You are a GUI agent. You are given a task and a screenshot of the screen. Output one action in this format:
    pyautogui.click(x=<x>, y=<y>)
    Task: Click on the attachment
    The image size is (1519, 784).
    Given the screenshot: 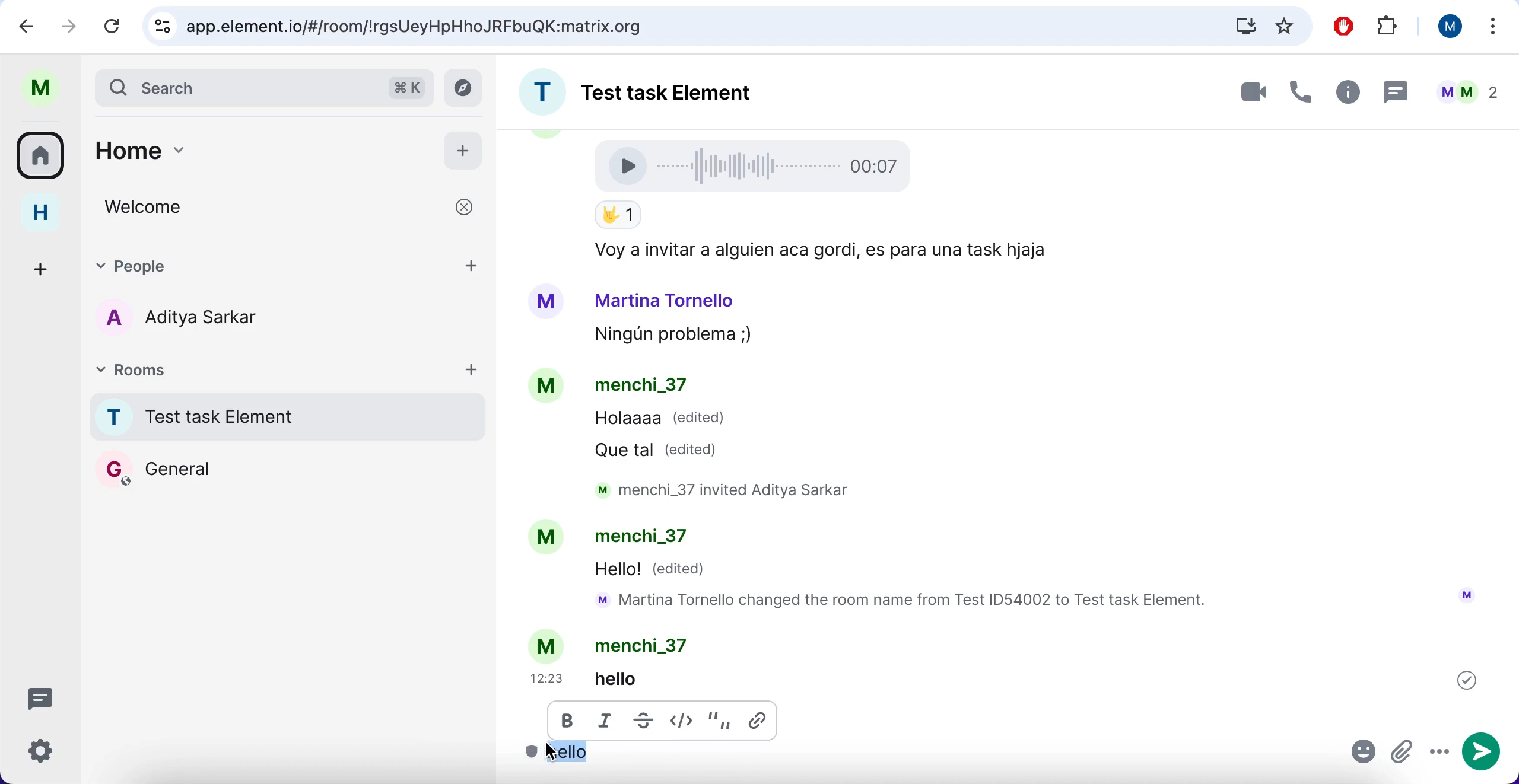 What is the action you would take?
    pyautogui.click(x=1403, y=753)
    